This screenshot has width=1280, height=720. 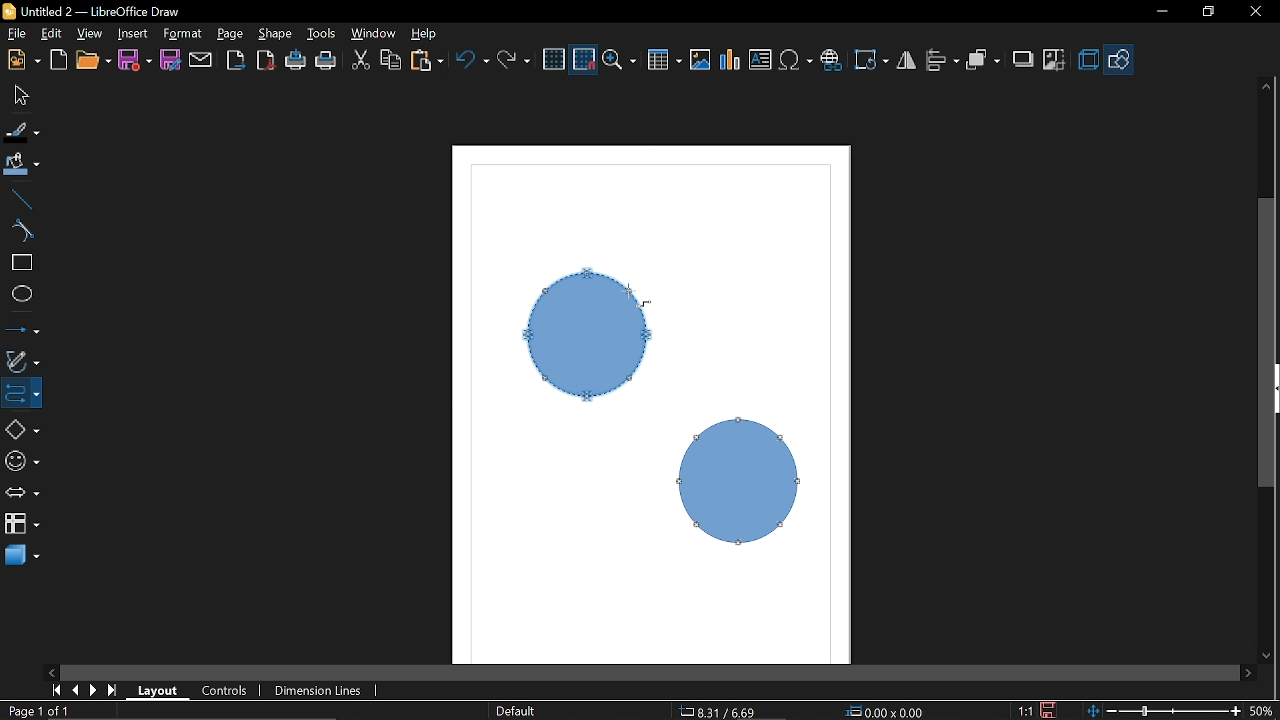 I want to click on Insert hyperlink, so click(x=833, y=61).